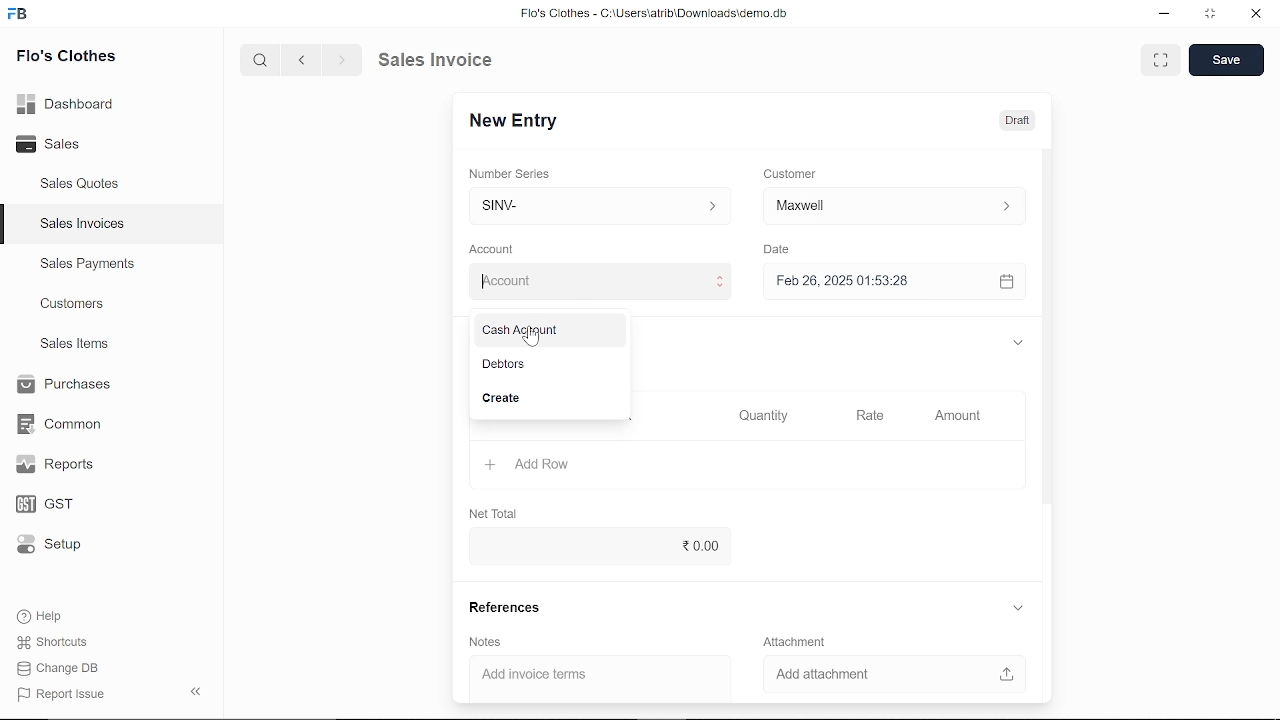 The width and height of the screenshot is (1280, 720). What do you see at coordinates (1166, 16) in the screenshot?
I see `minimize` at bounding box center [1166, 16].